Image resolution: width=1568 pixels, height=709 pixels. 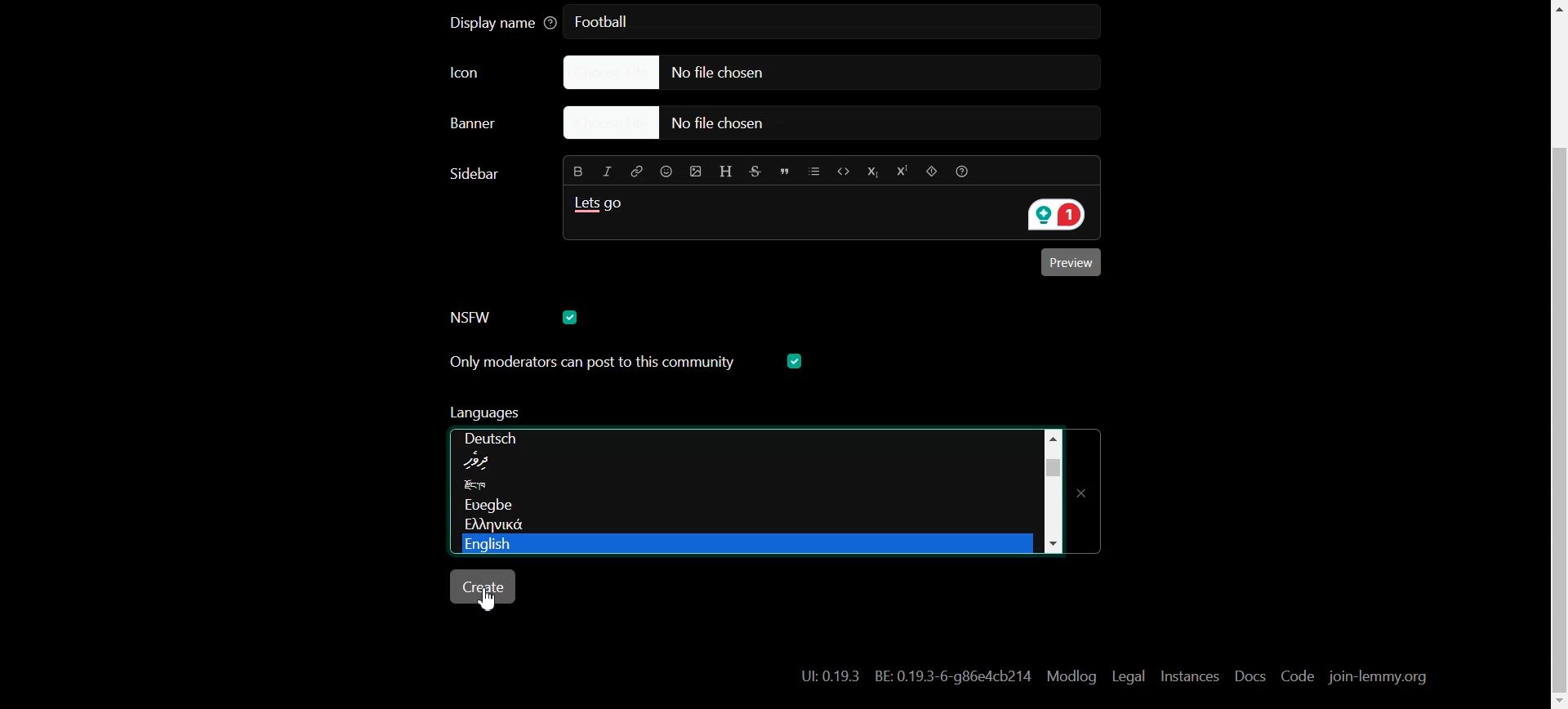 What do you see at coordinates (835, 124) in the screenshot?
I see `Choose file` at bounding box center [835, 124].